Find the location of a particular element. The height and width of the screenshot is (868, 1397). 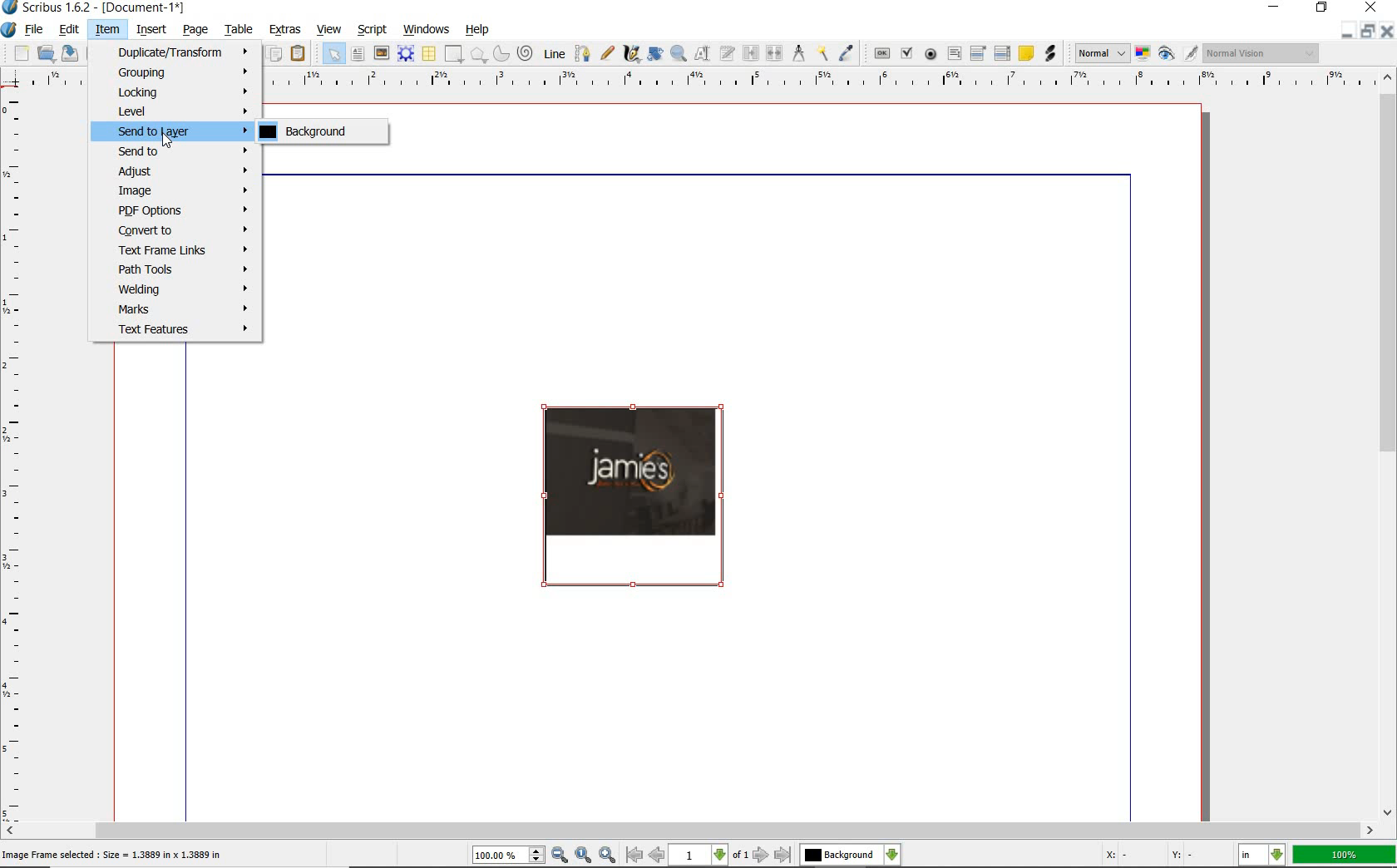

file is located at coordinates (38, 28).